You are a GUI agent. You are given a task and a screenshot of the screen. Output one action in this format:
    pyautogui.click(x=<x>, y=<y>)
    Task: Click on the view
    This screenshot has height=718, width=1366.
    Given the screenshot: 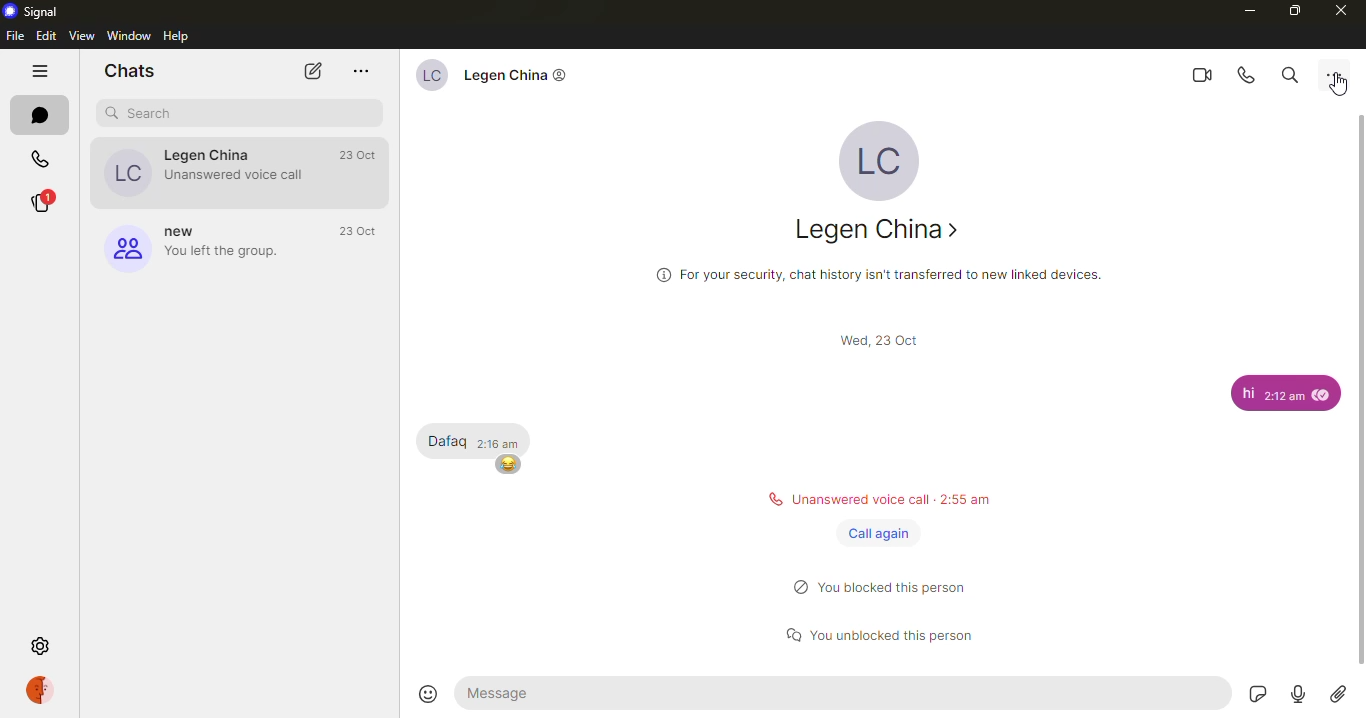 What is the action you would take?
    pyautogui.click(x=81, y=34)
    